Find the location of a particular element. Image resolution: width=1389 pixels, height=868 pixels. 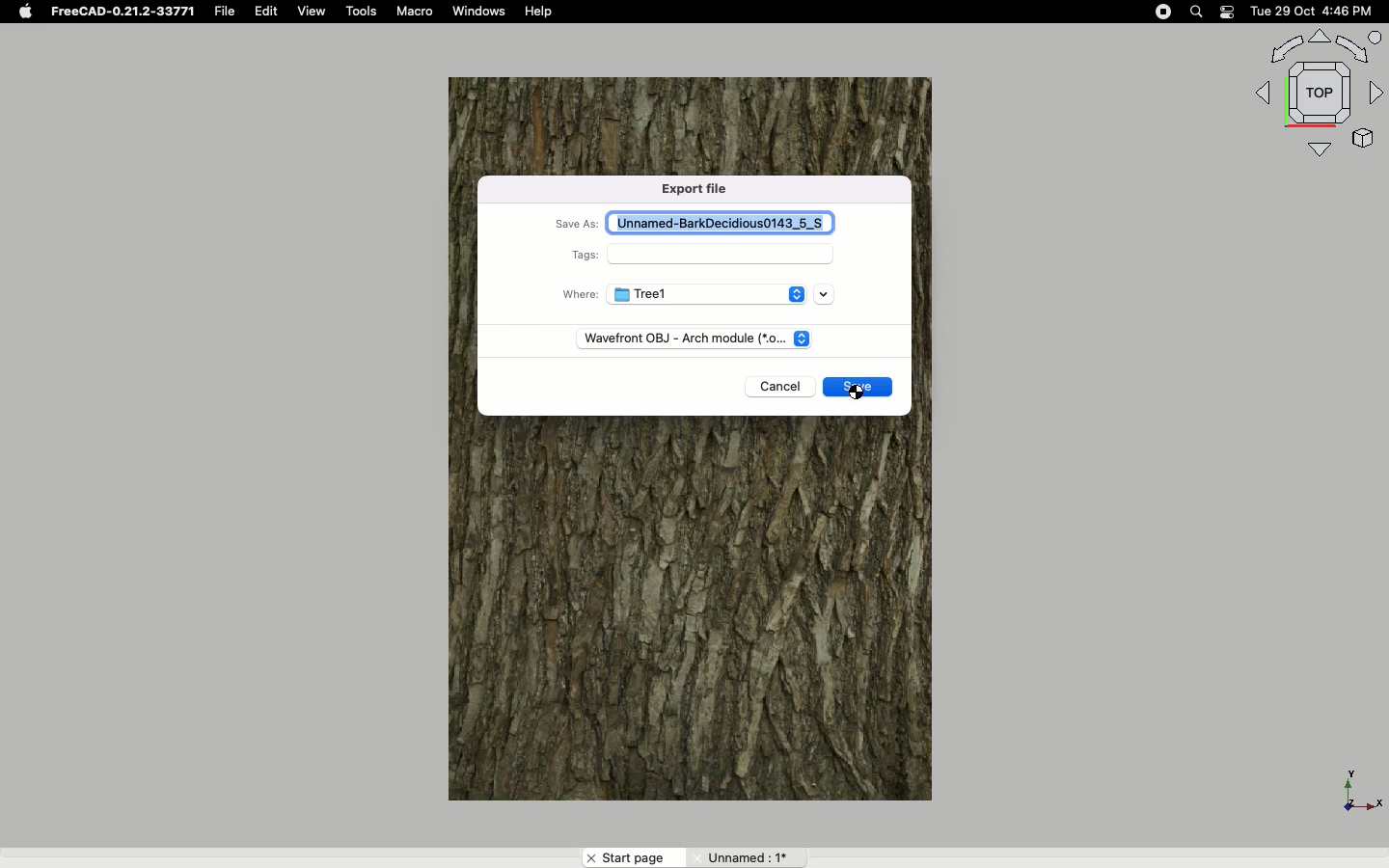

Apple logo is located at coordinates (24, 12).